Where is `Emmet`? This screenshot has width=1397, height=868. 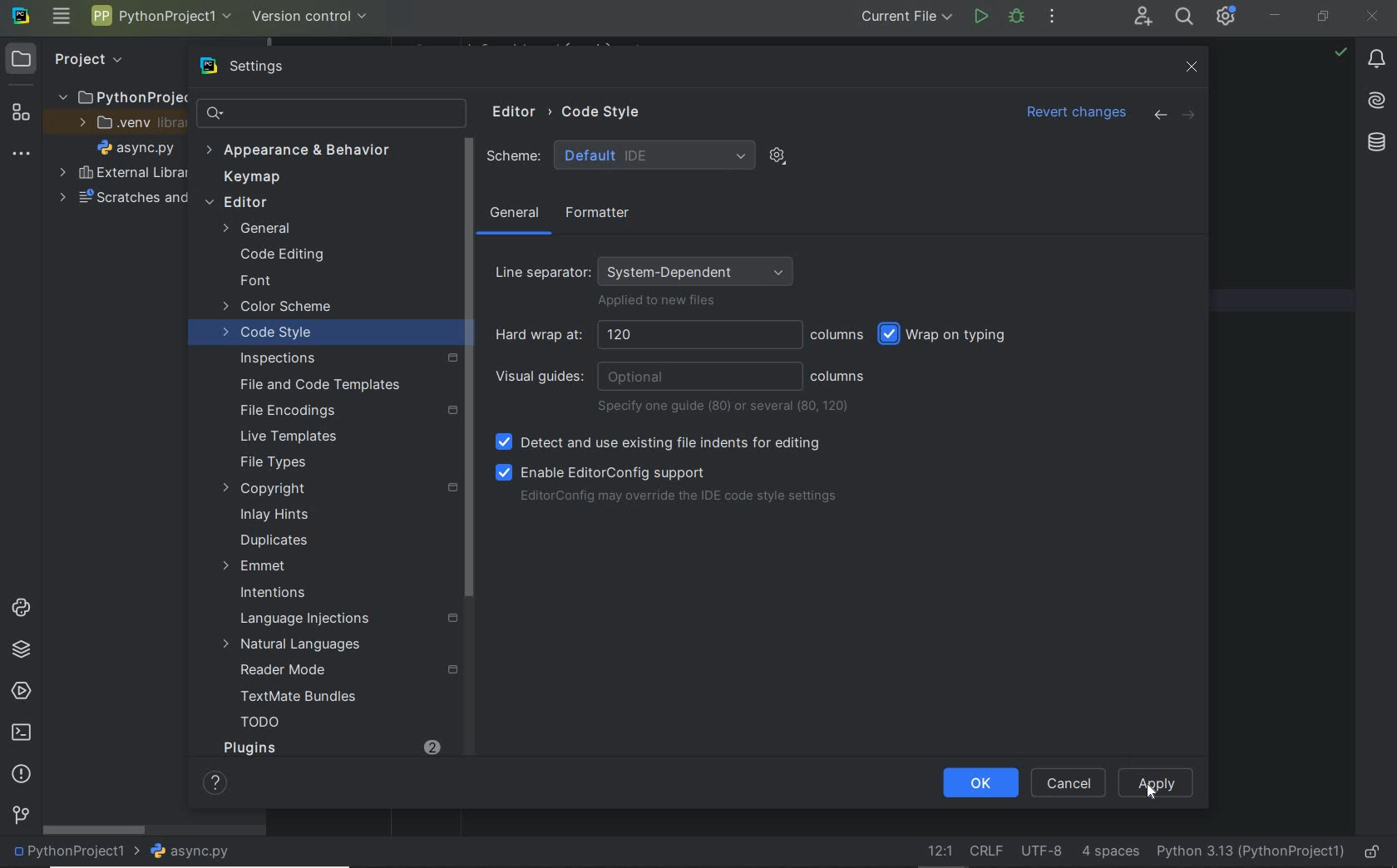 Emmet is located at coordinates (254, 566).